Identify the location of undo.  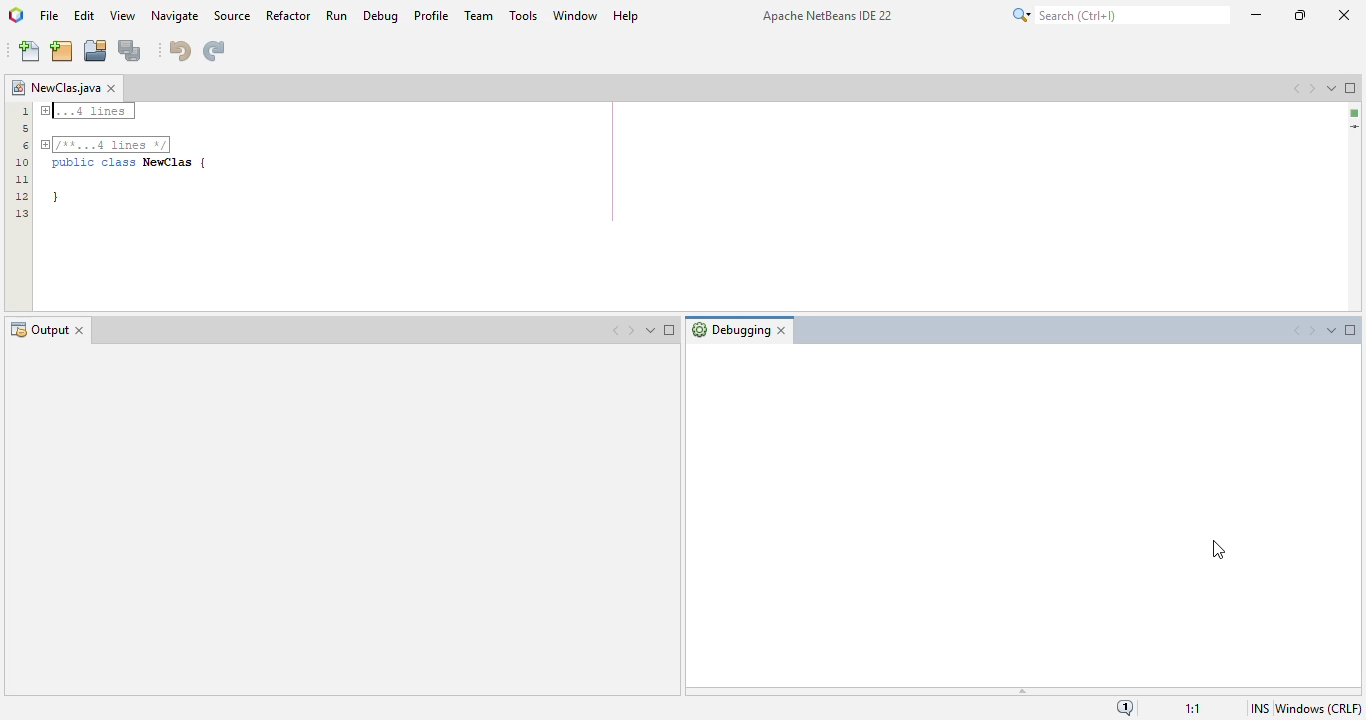
(178, 49).